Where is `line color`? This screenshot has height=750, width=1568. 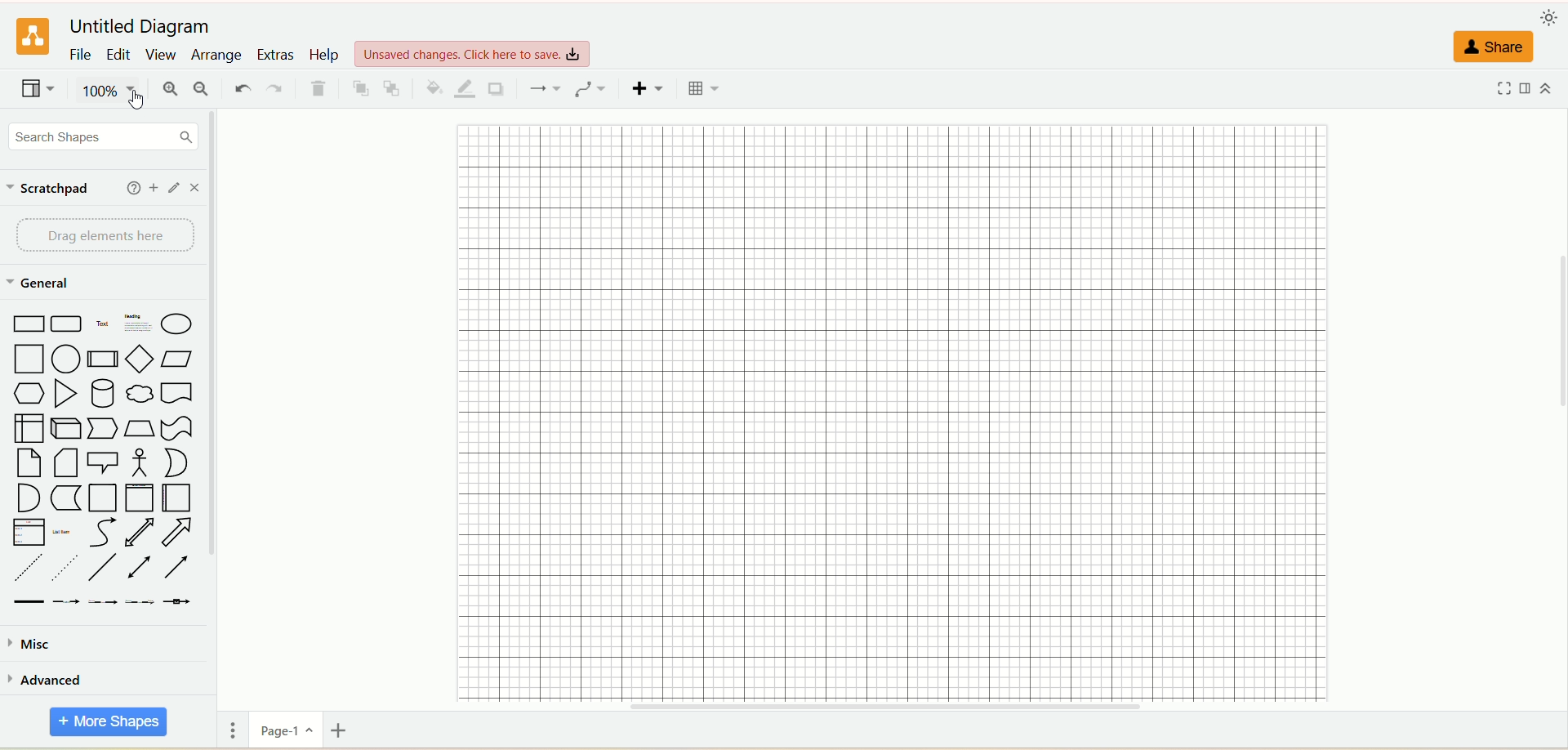 line color is located at coordinates (466, 89).